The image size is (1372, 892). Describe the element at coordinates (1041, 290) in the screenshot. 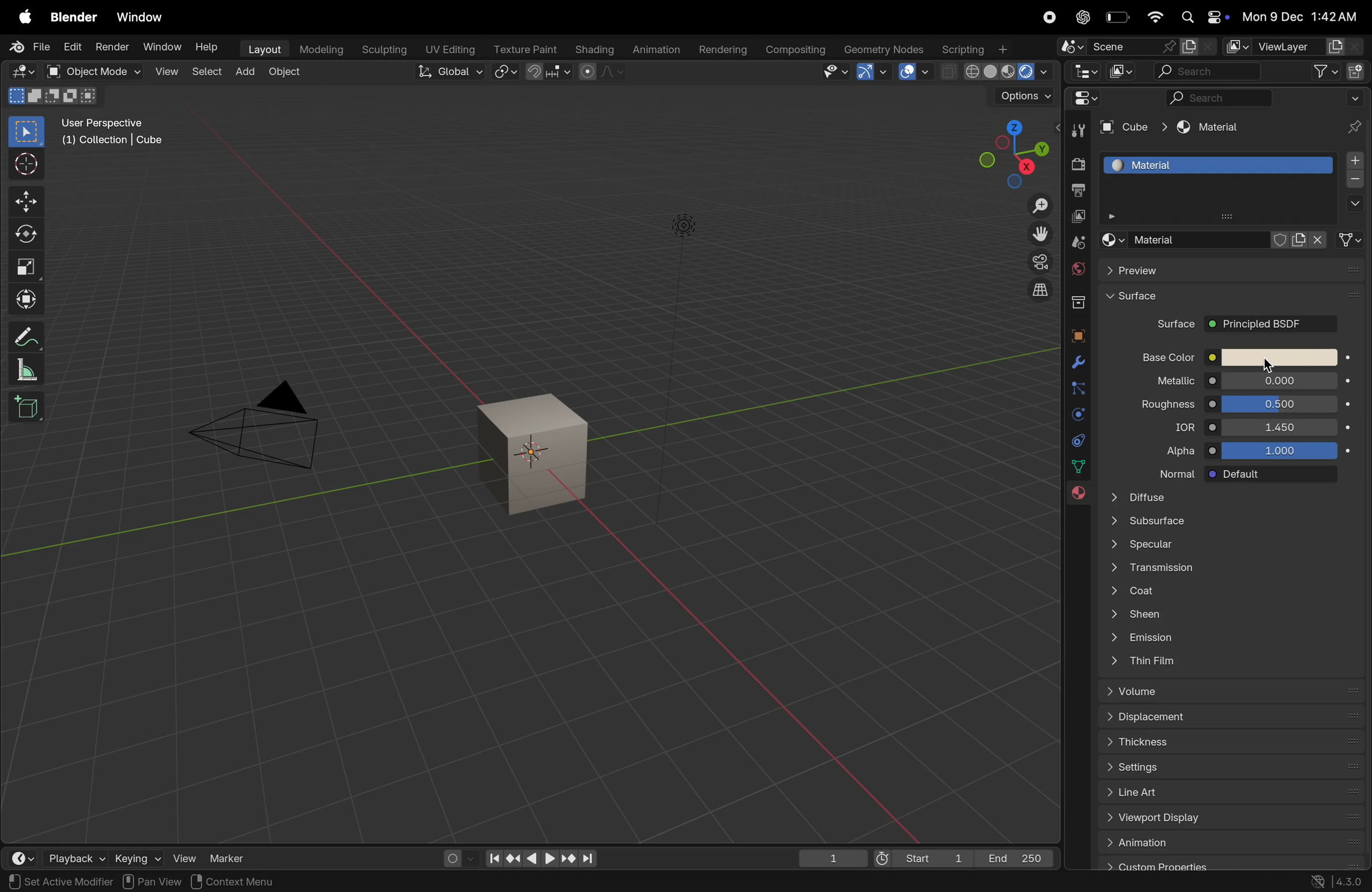

I see `orthographic projection` at that location.